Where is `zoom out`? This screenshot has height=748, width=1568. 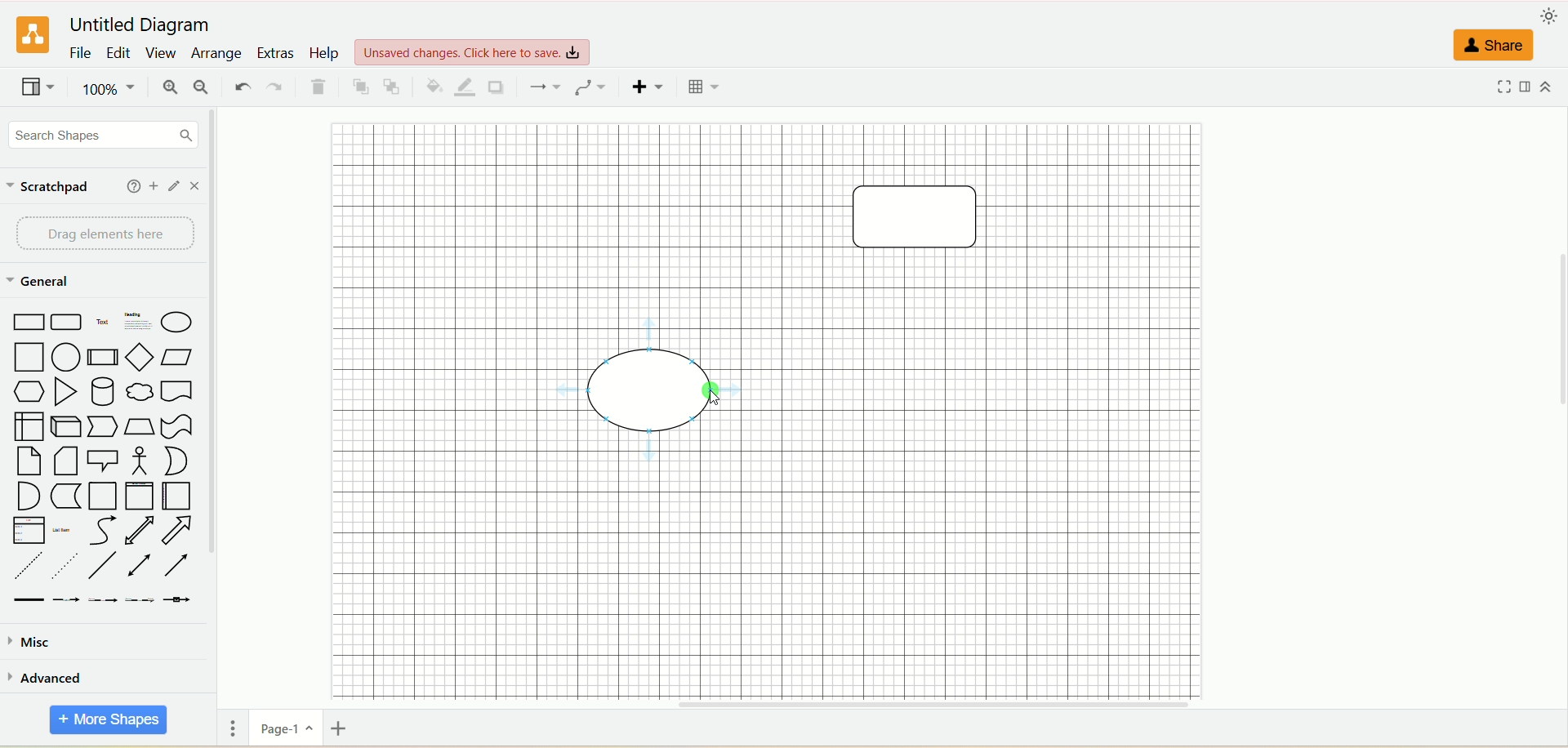
zoom out is located at coordinates (203, 88).